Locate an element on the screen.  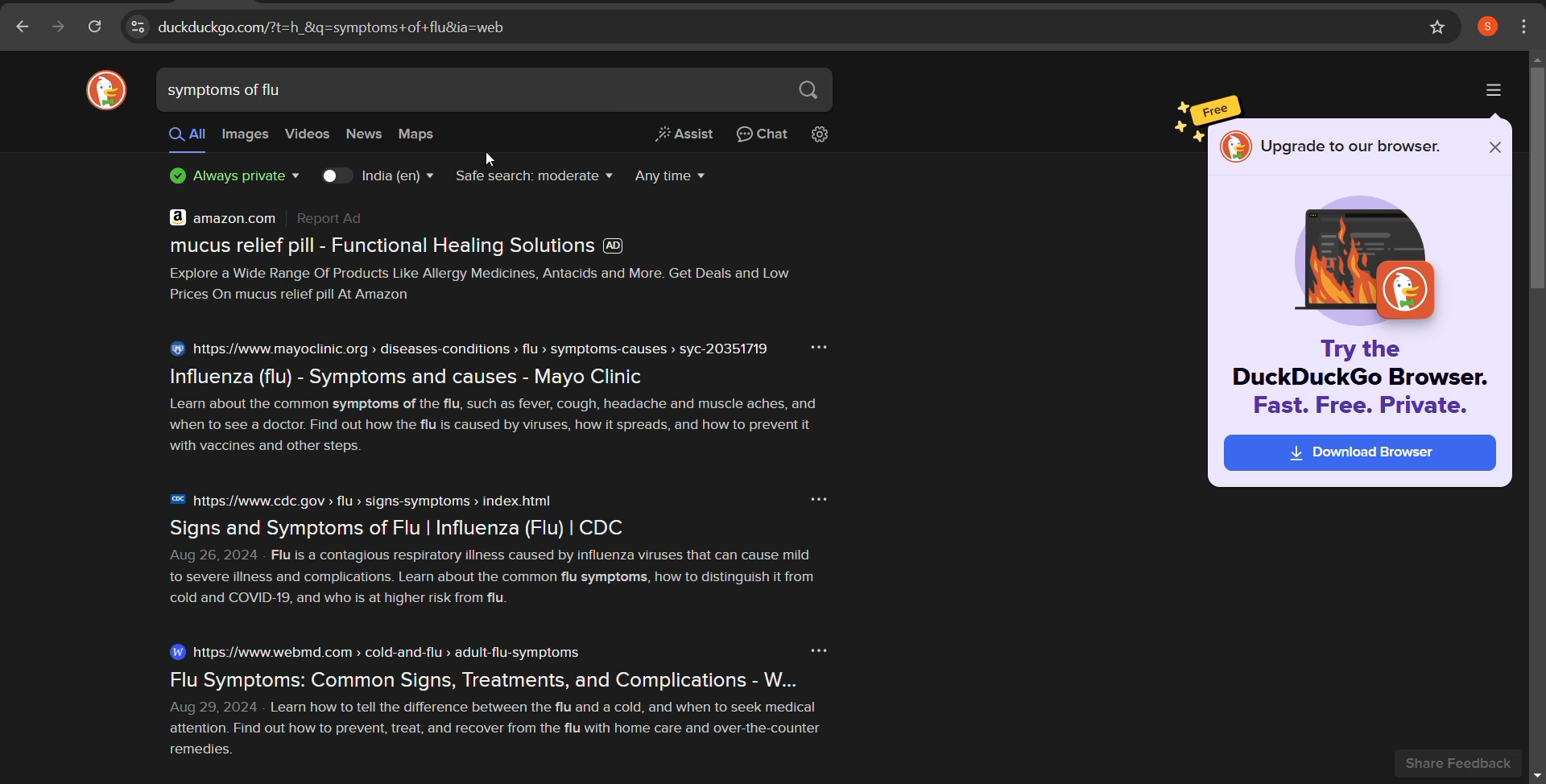
more options is located at coordinates (1494, 91).